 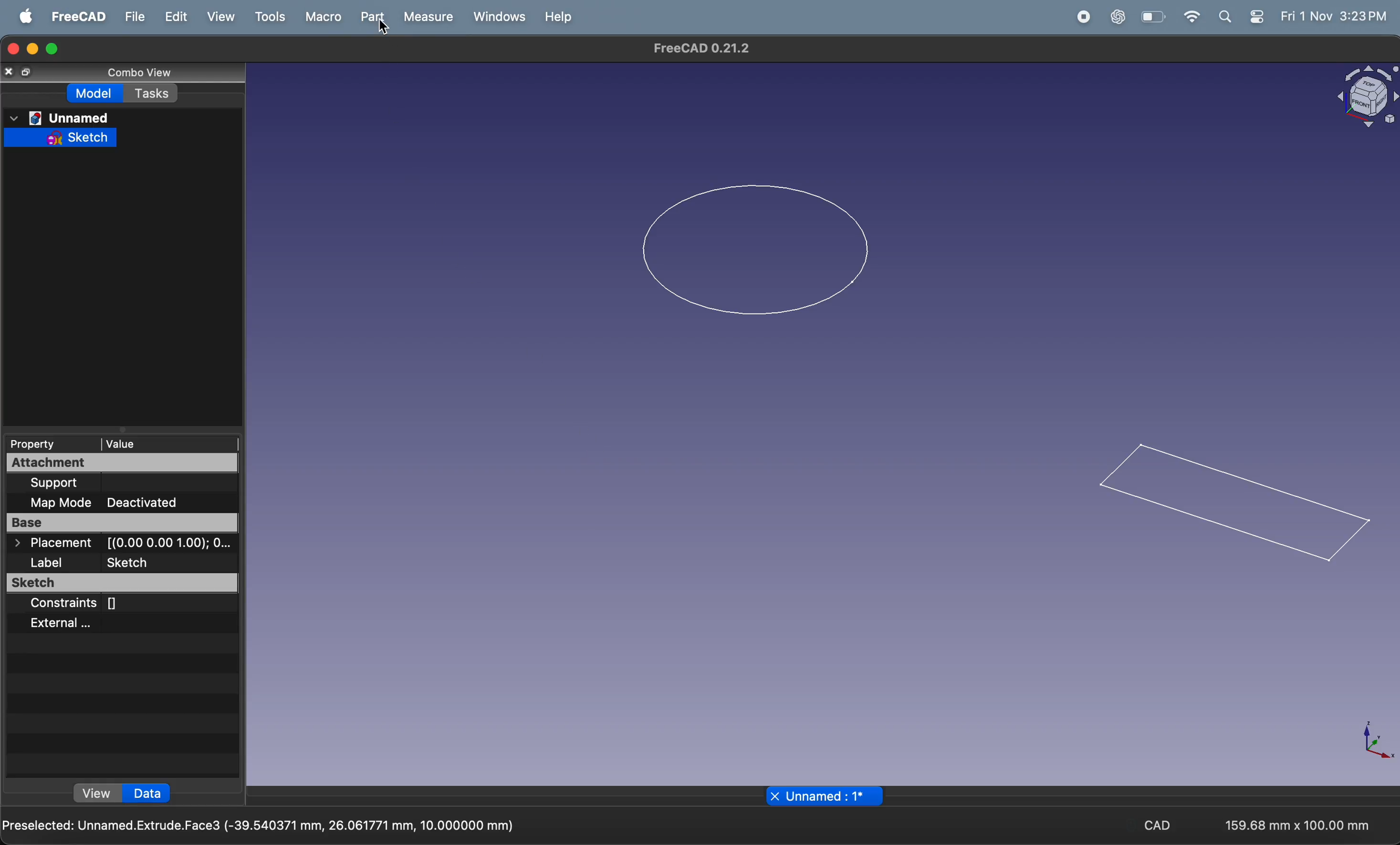 What do you see at coordinates (706, 49) in the screenshot?
I see `FreeCAD 0.21.2` at bounding box center [706, 49].